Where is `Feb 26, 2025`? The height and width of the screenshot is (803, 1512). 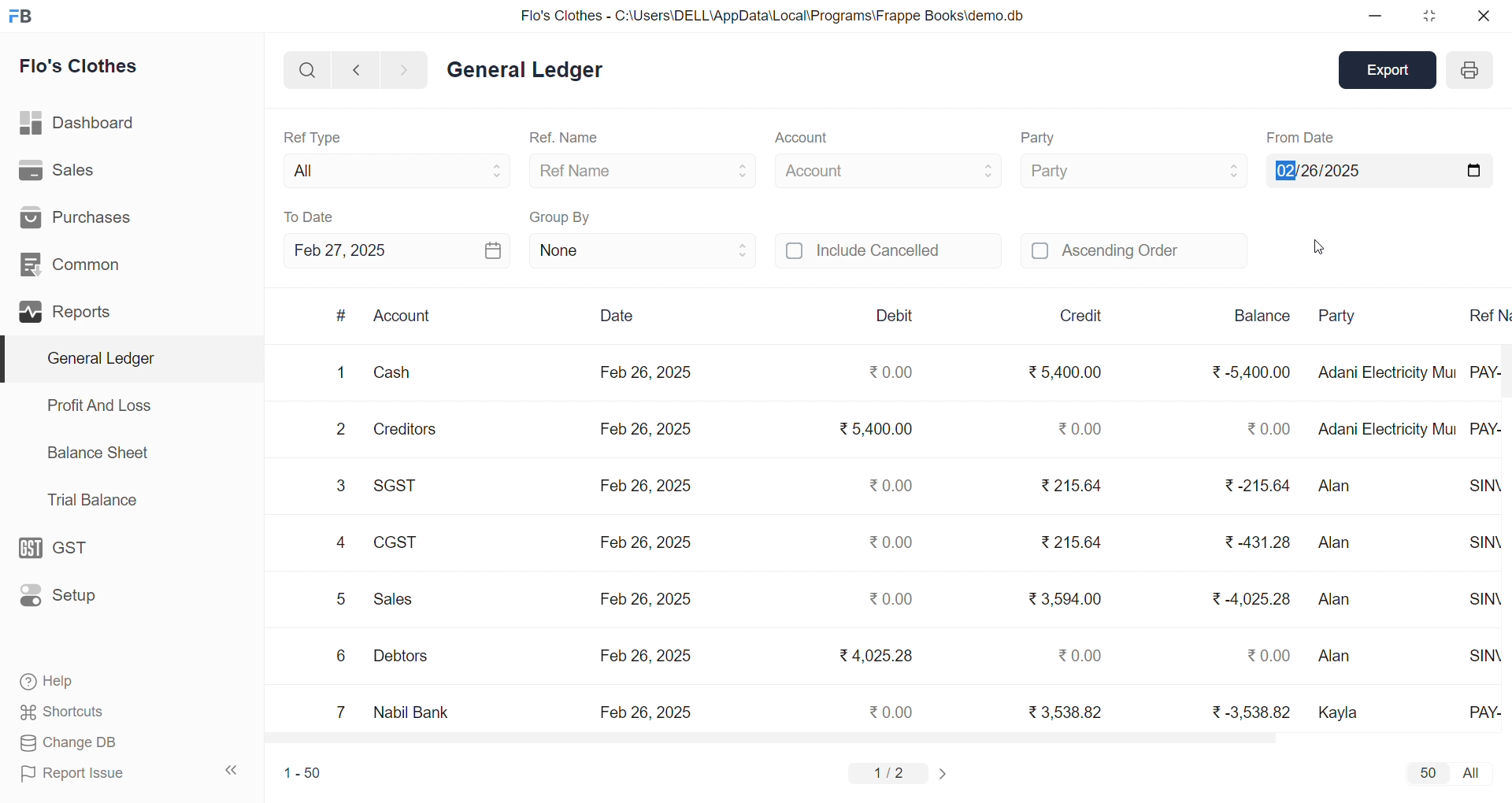
Feb 26, 2025 is located at coordinates (649, 430).